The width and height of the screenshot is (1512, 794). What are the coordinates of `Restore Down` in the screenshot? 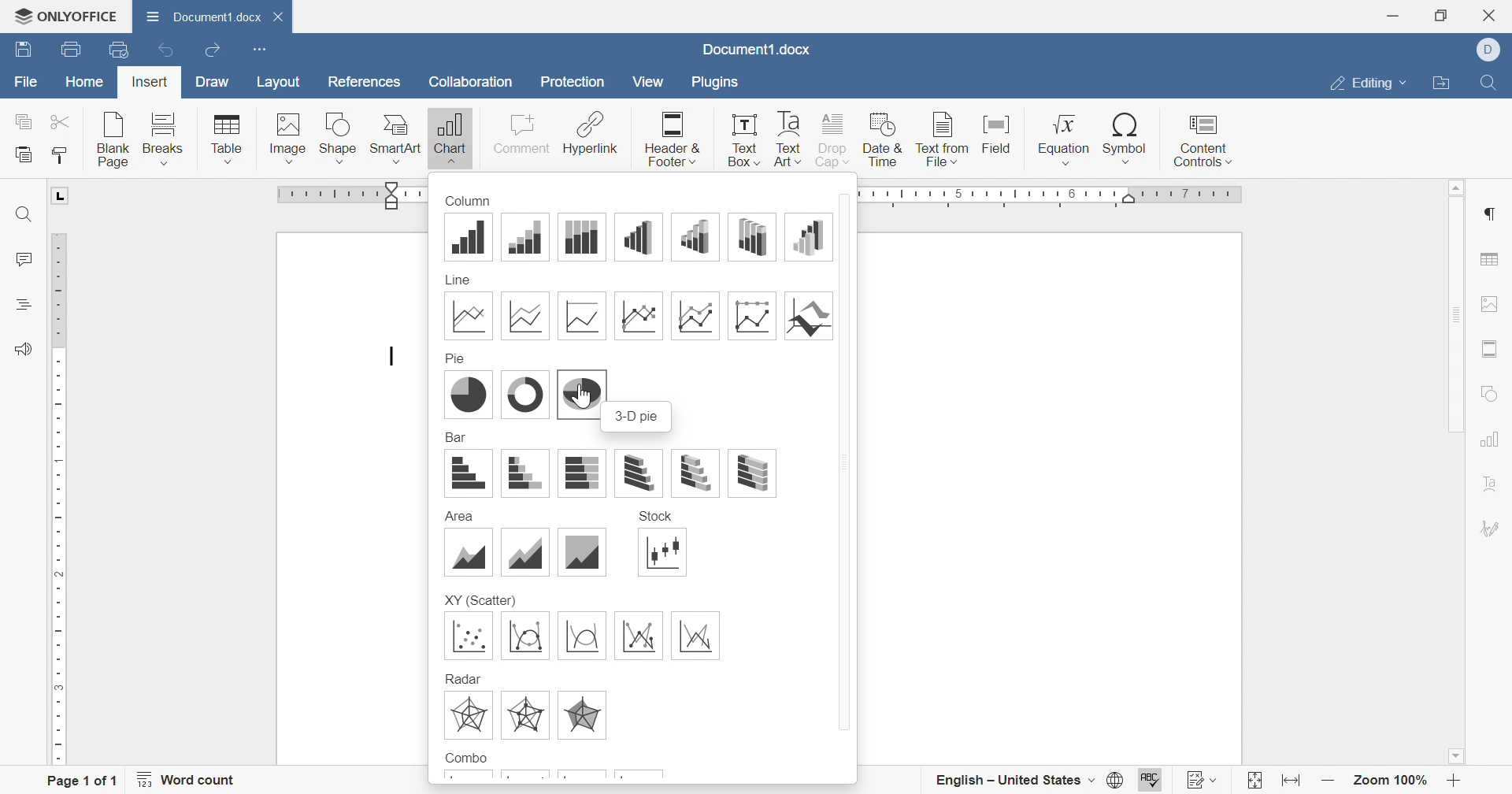 It's located at (1443, 15).